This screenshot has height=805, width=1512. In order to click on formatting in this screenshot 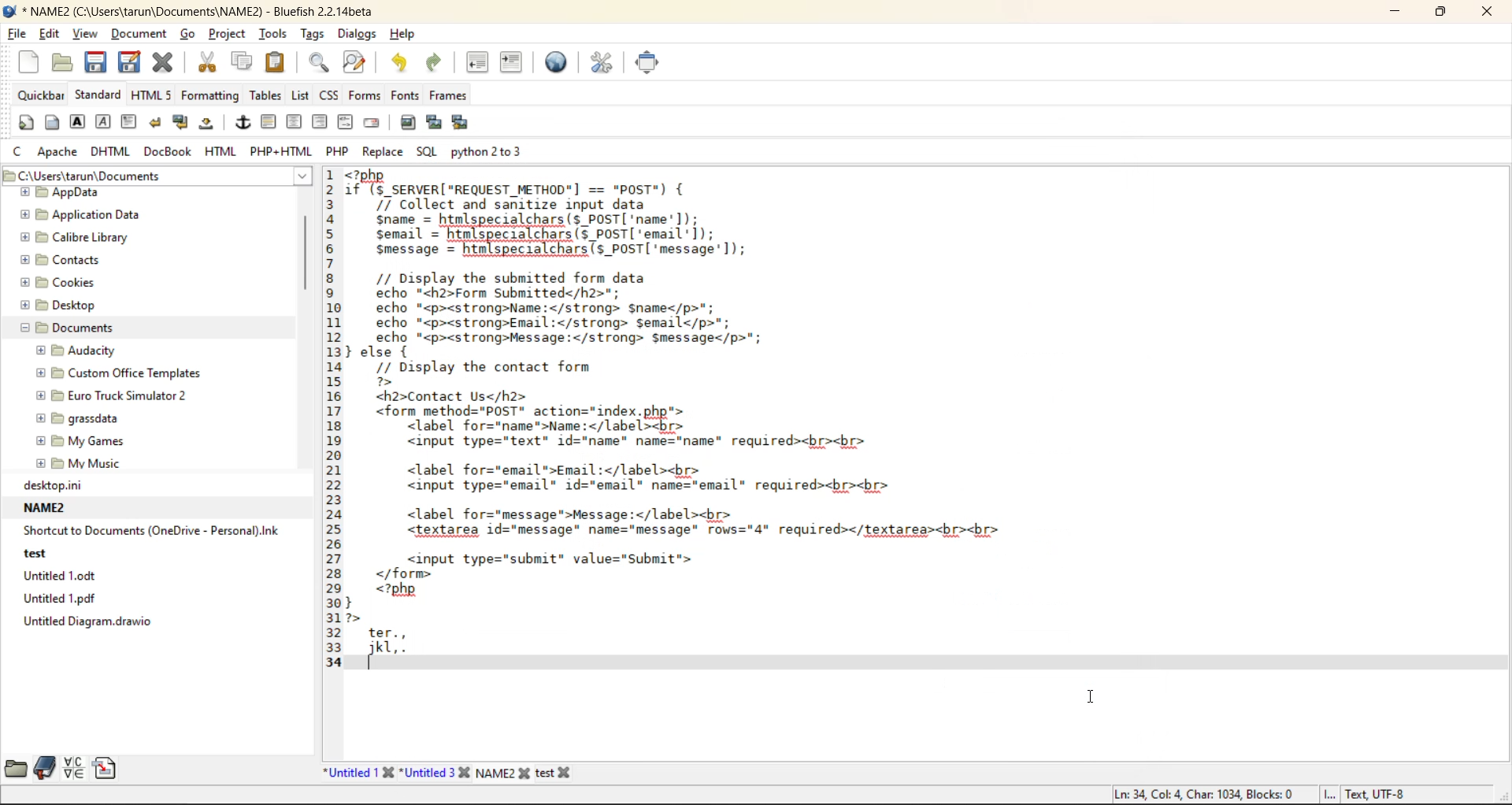, I will do `click(210, 99)`.